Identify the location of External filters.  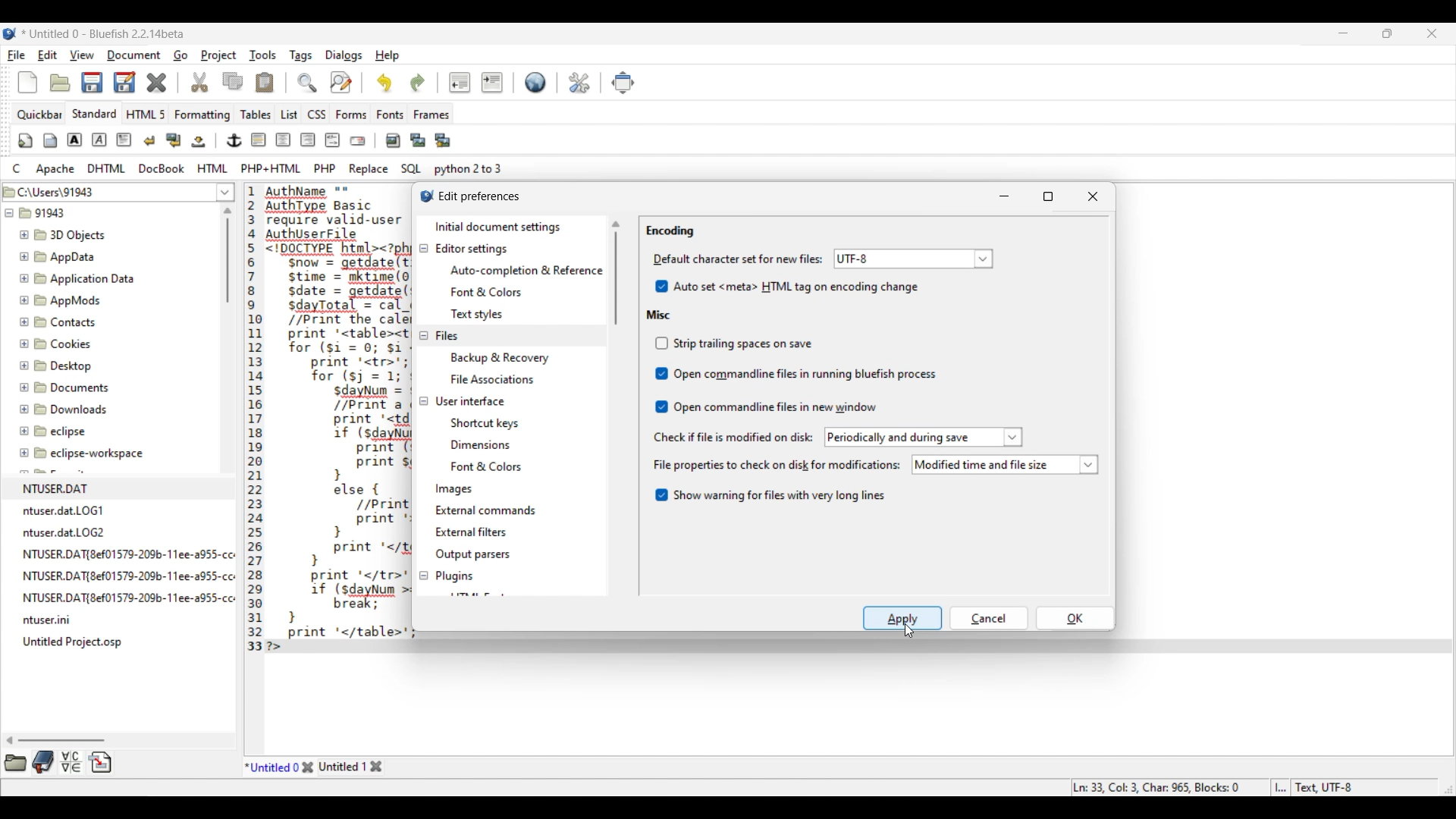
(474, 532).